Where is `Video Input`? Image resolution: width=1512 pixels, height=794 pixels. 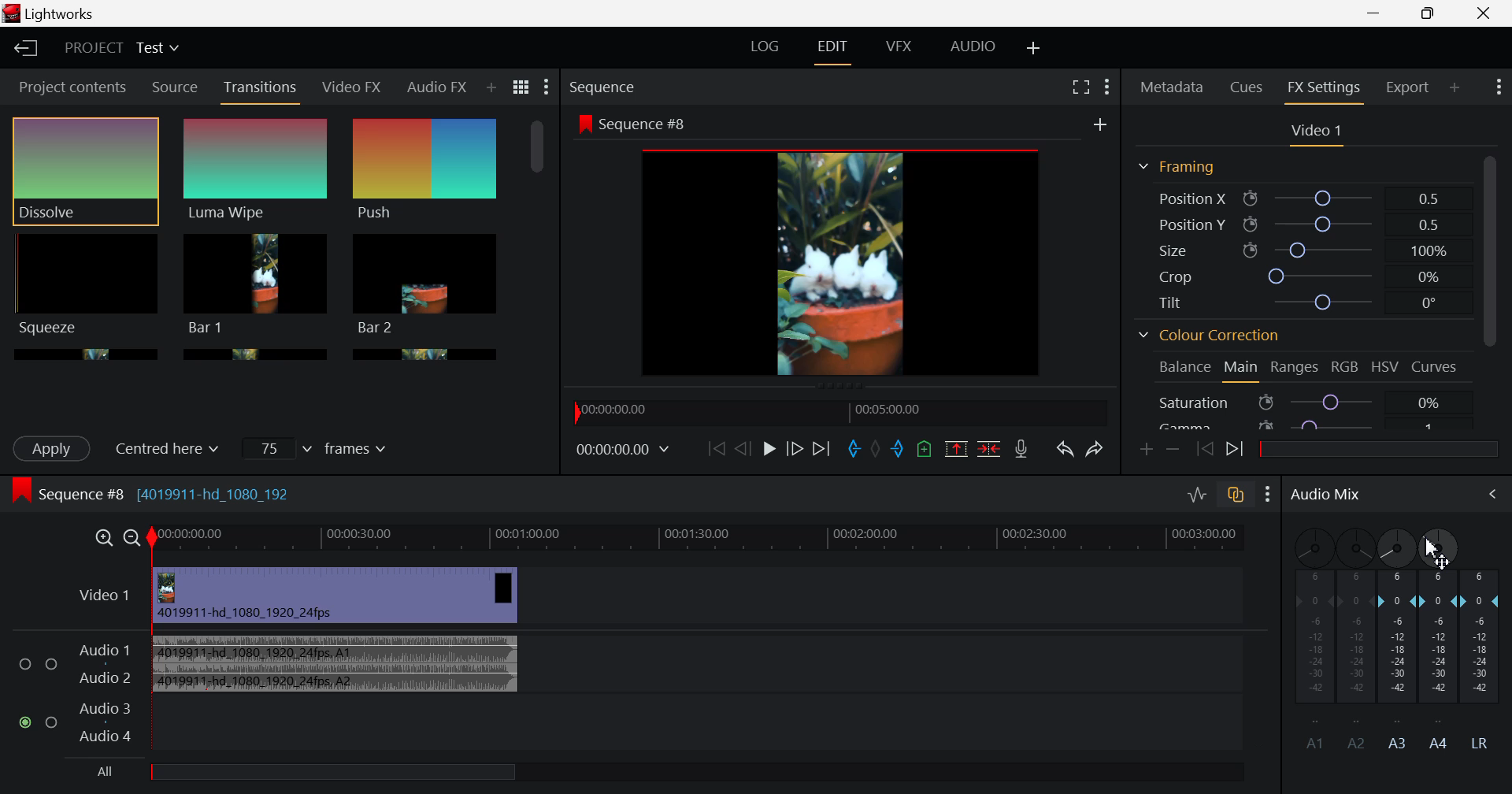
Video Input is located at coordinates (326, 595).